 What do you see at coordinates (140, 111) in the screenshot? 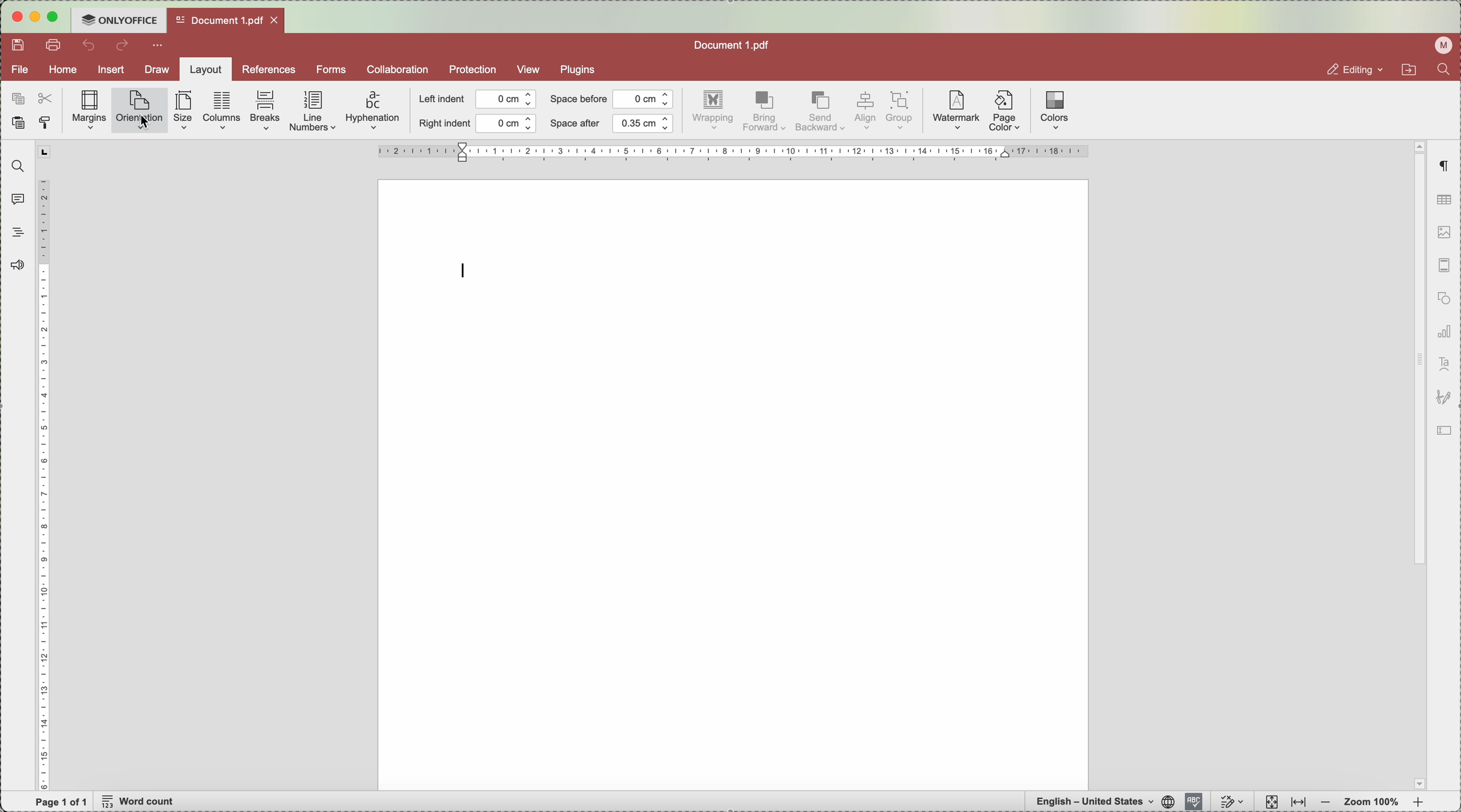
I see `orientation` at bounding box center [140, 111].